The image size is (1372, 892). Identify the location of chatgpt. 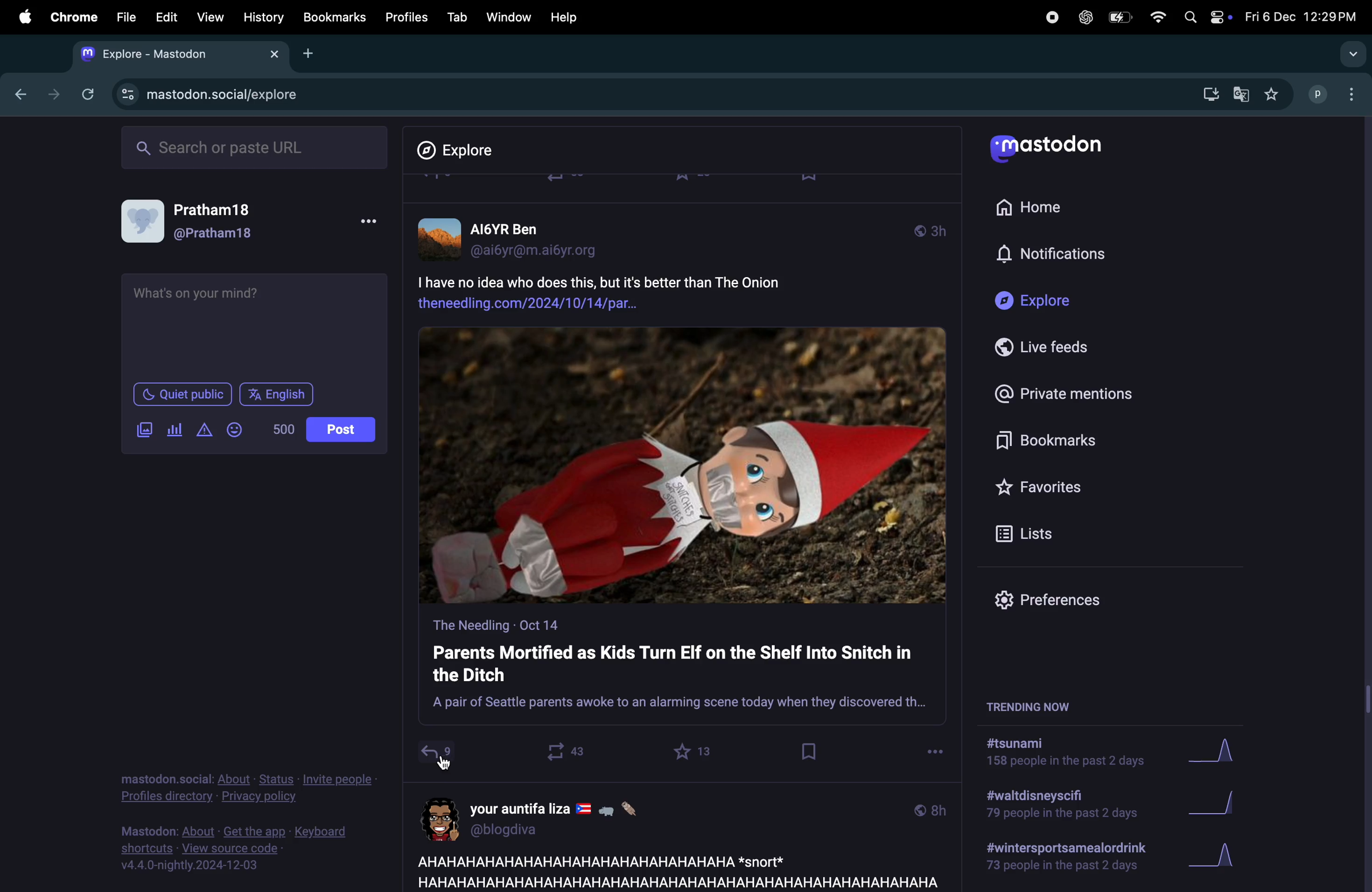
(1084, 17).